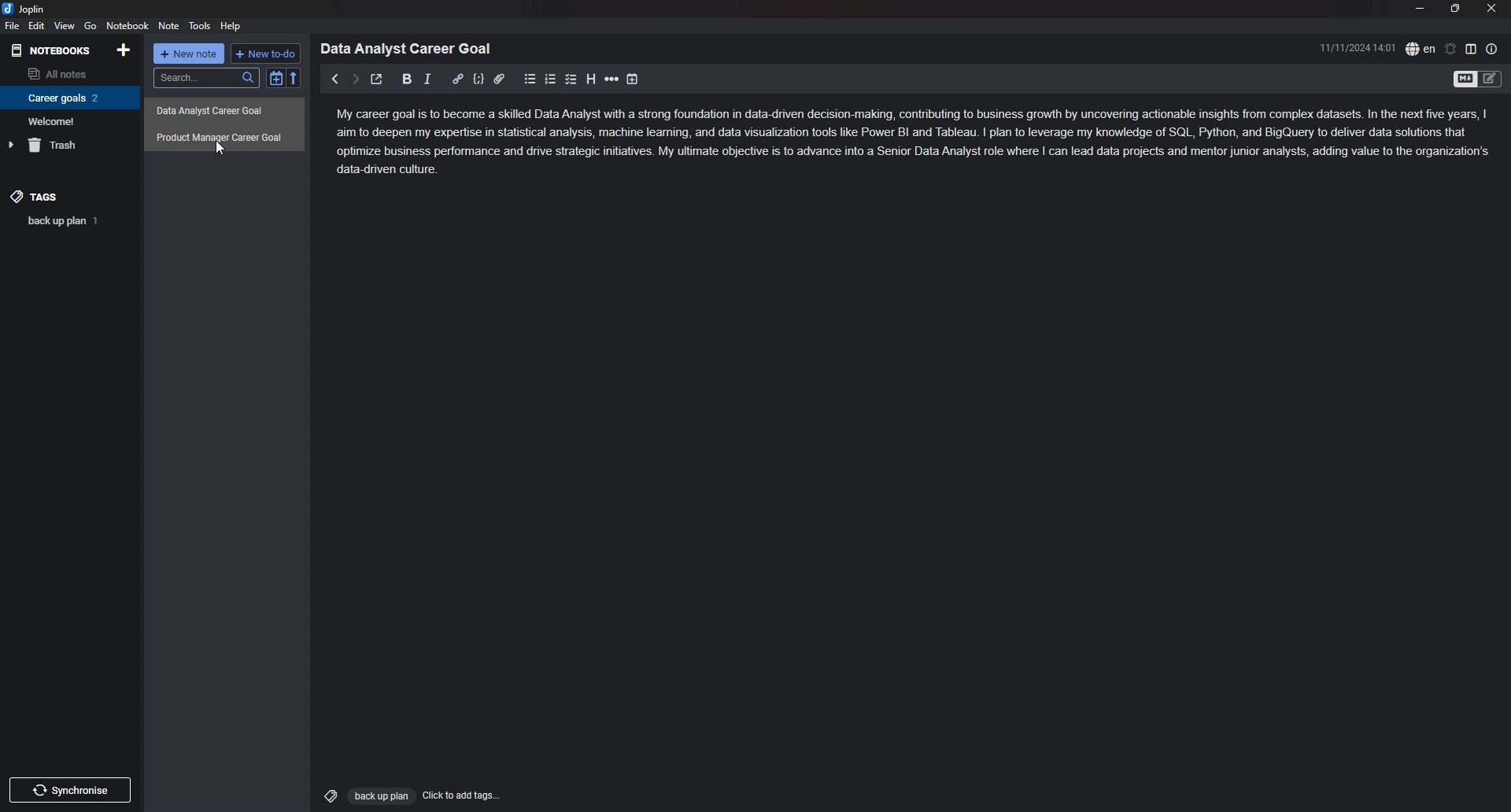  I want to click on notebook, so click(127, 25).